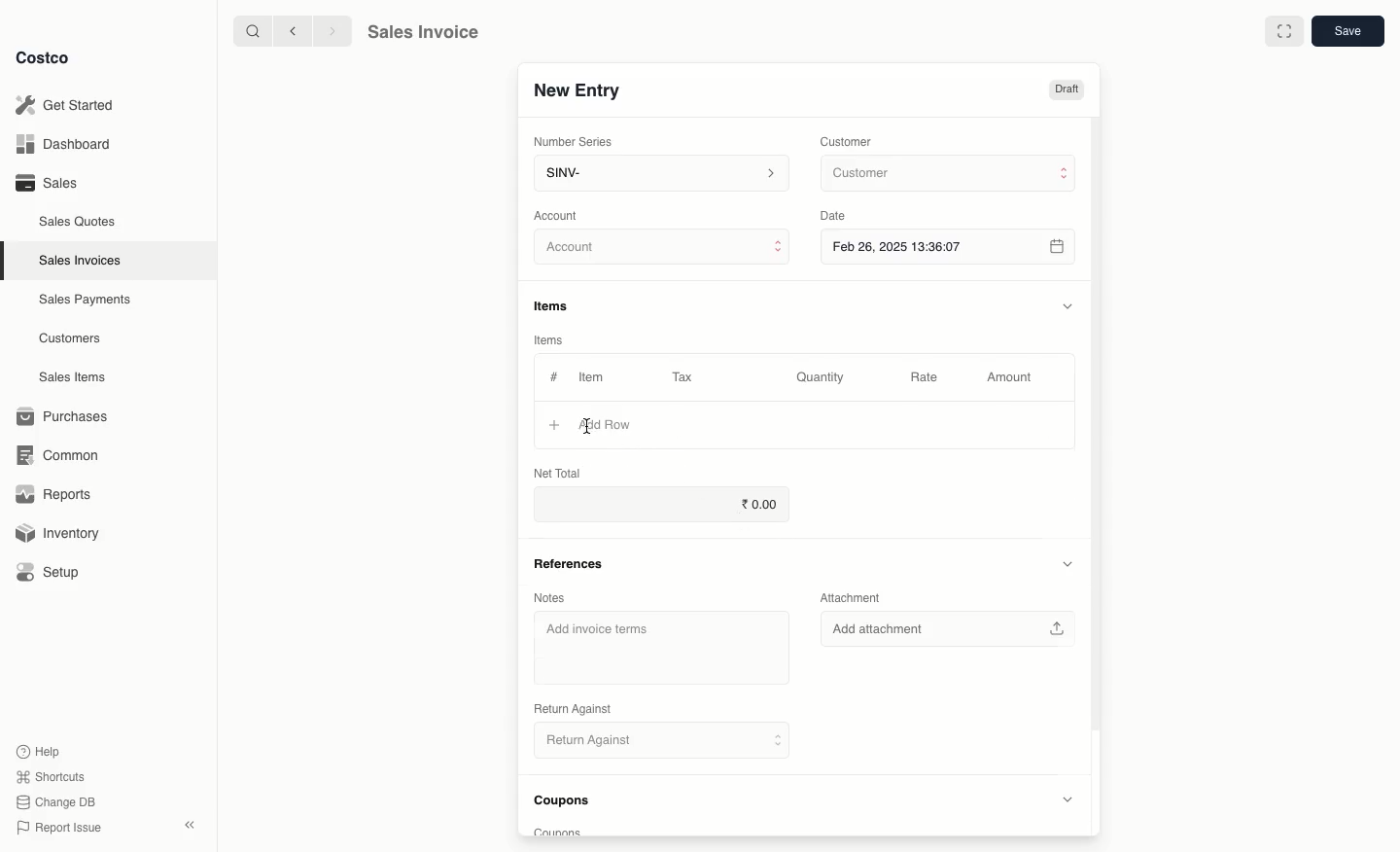 The image size is (1400, 852). Describe the element at coordinates (1350, 33) in the screenshot. I see `Save` at that location.